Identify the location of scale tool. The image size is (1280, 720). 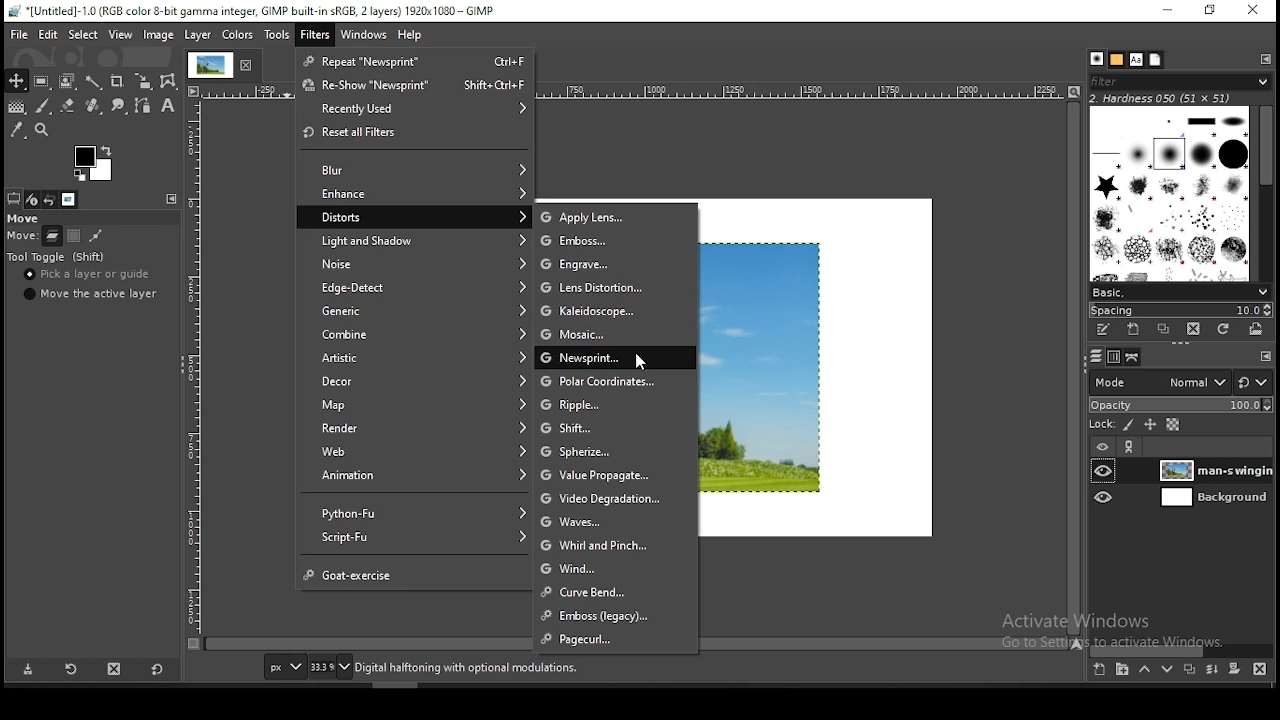
(144, 82).